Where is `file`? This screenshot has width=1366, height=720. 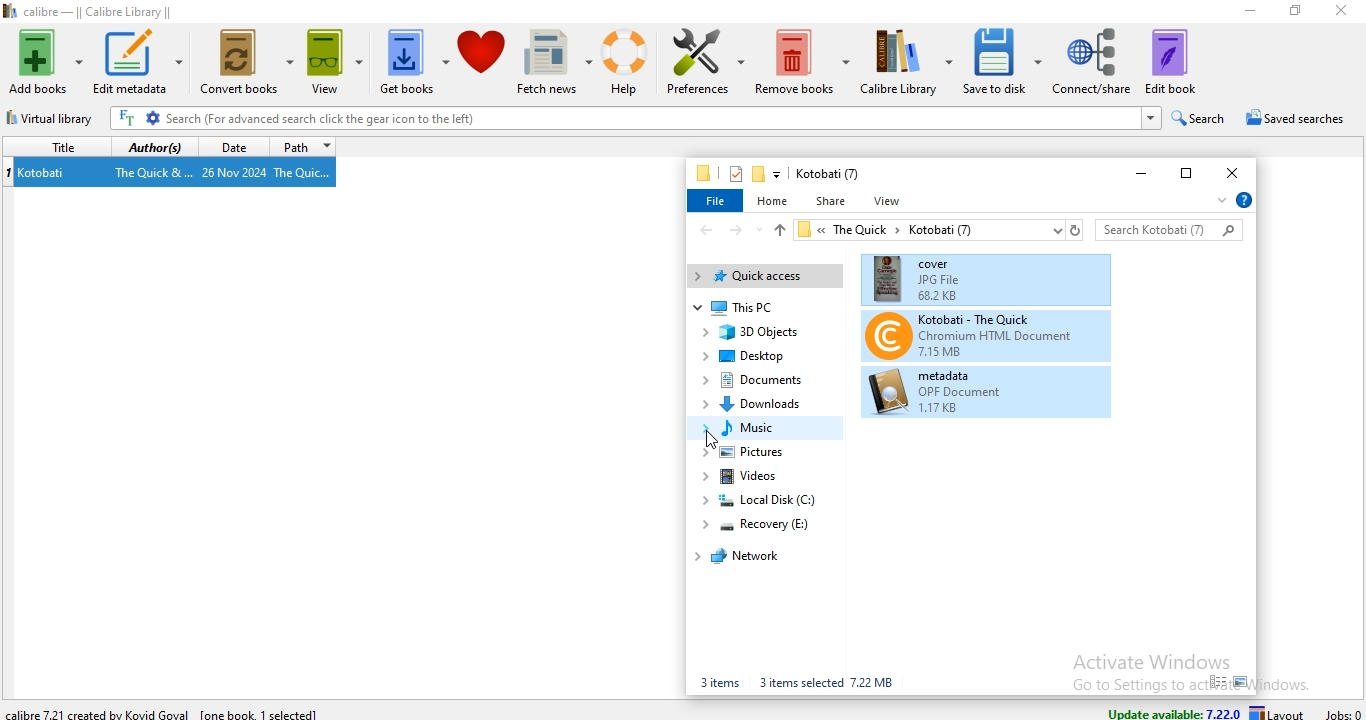 file is located at coordinates (716, 202).